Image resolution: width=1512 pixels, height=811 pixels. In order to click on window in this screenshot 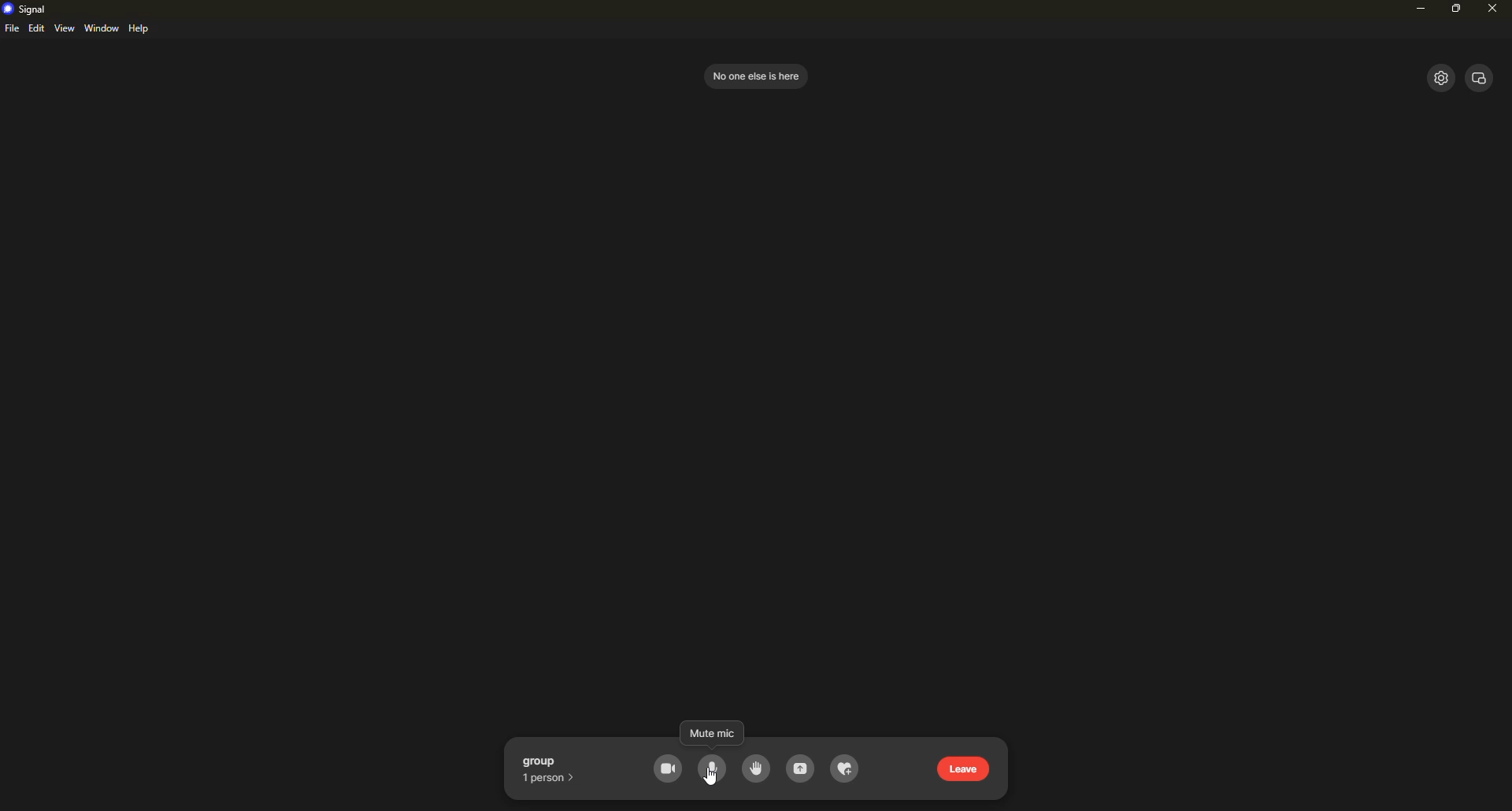, I will do `click(102, 28)`.